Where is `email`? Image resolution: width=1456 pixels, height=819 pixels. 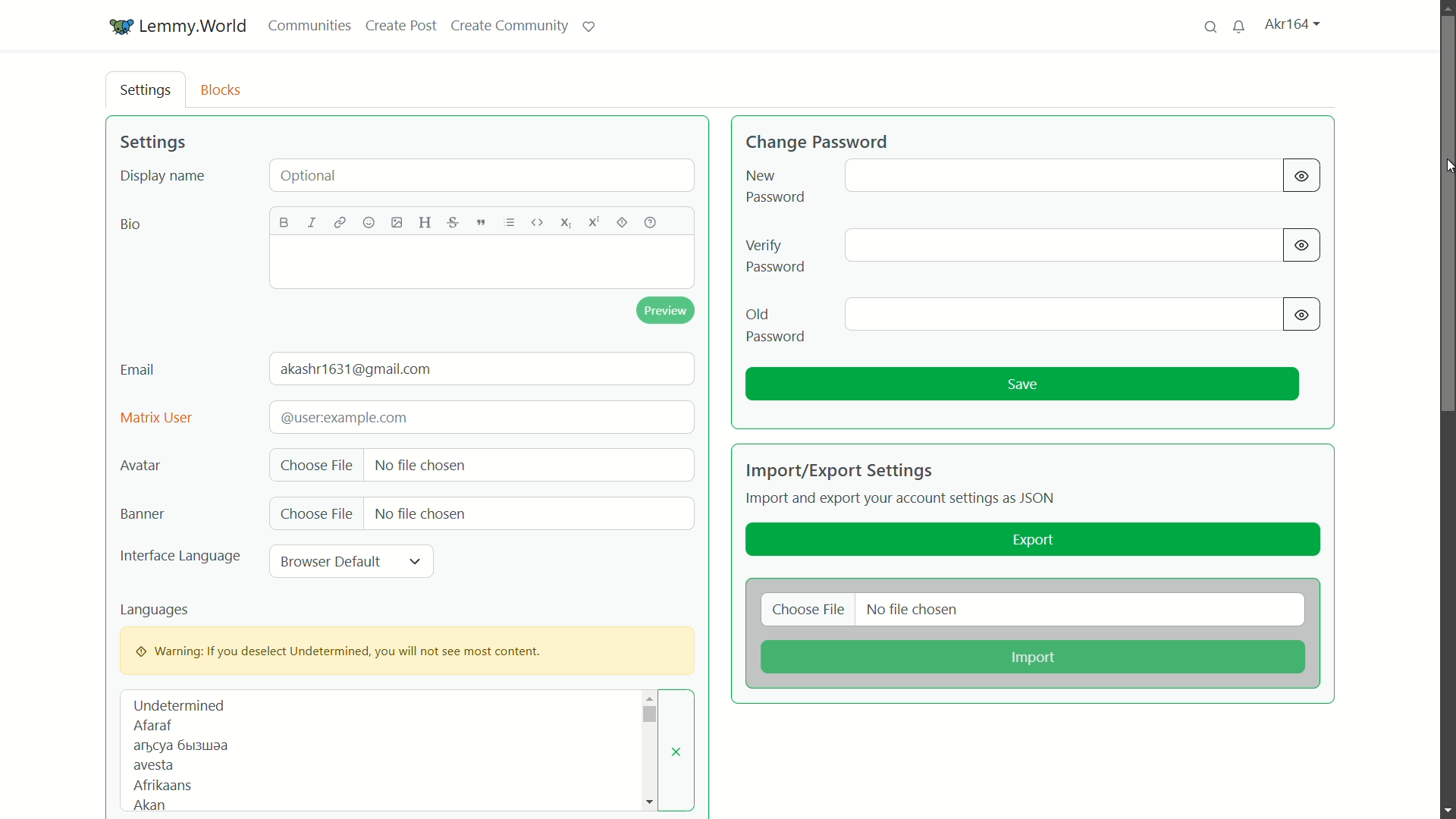
email is located at coordinates (139, 370).